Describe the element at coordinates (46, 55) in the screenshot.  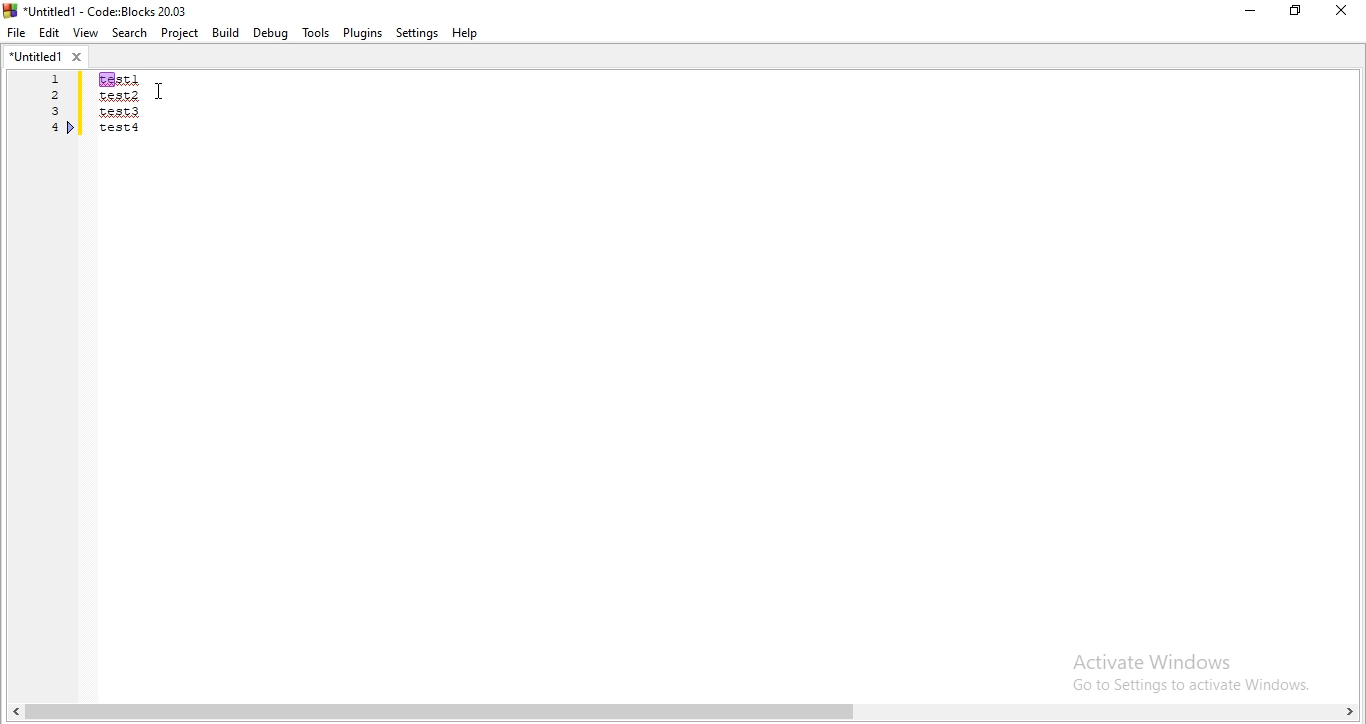
I see `untitled1` at that location.